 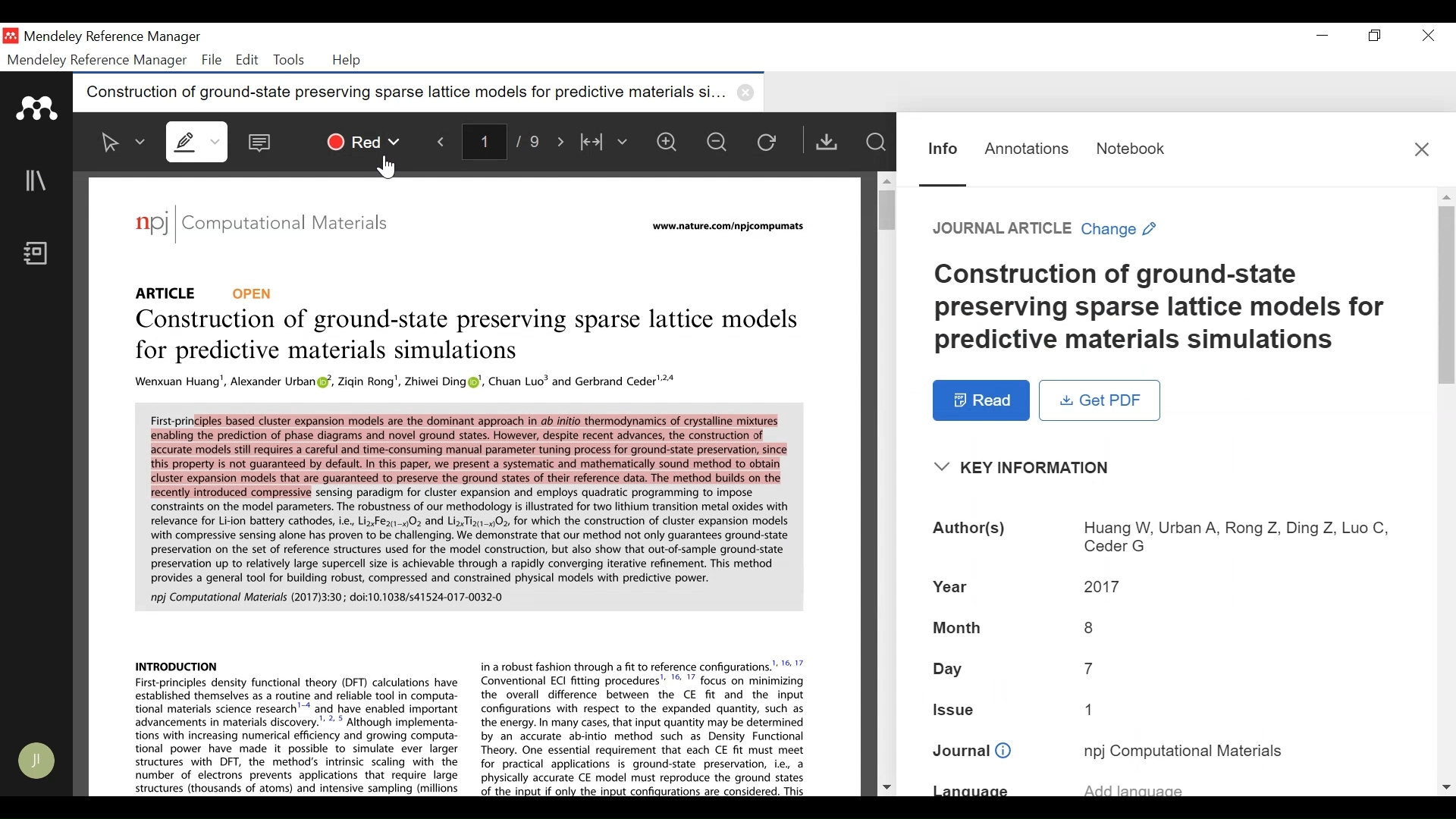 I want to click on minimize, so click(x=1323, y=36).